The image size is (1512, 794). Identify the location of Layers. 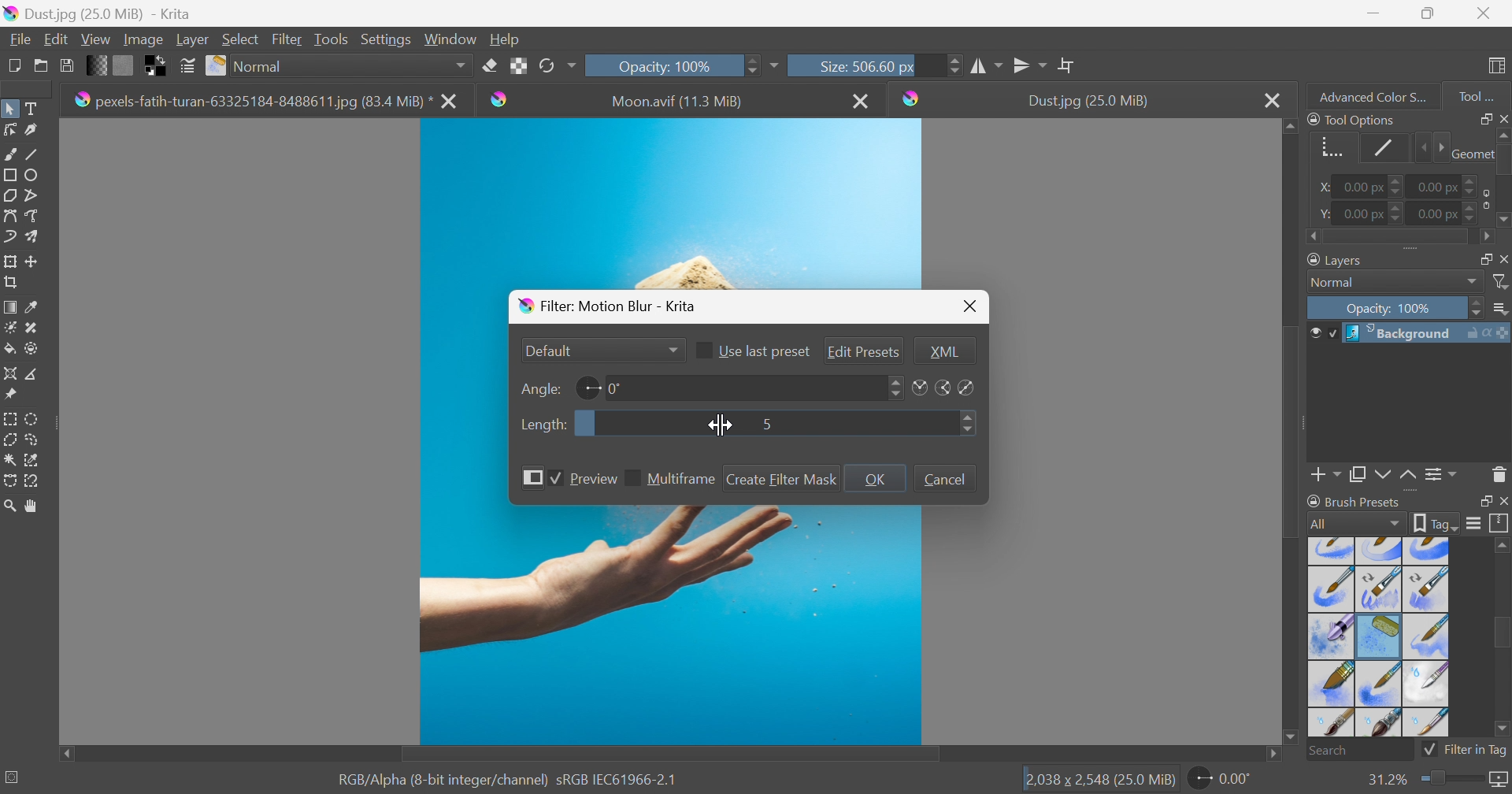
(1480, 257).